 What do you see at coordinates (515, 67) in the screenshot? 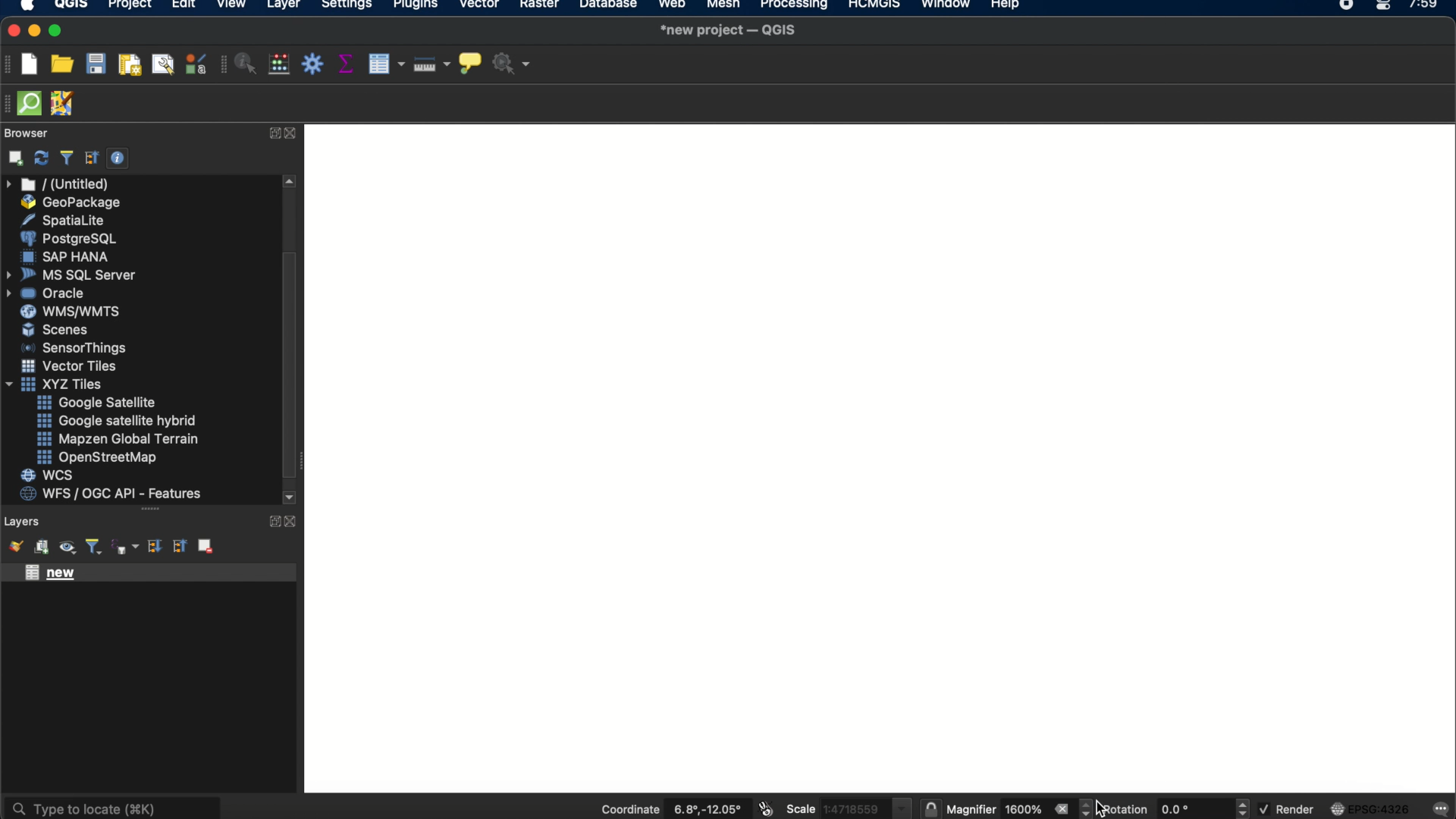
I see `NO ACTION SELECTED` at bounding box center [515, 67].